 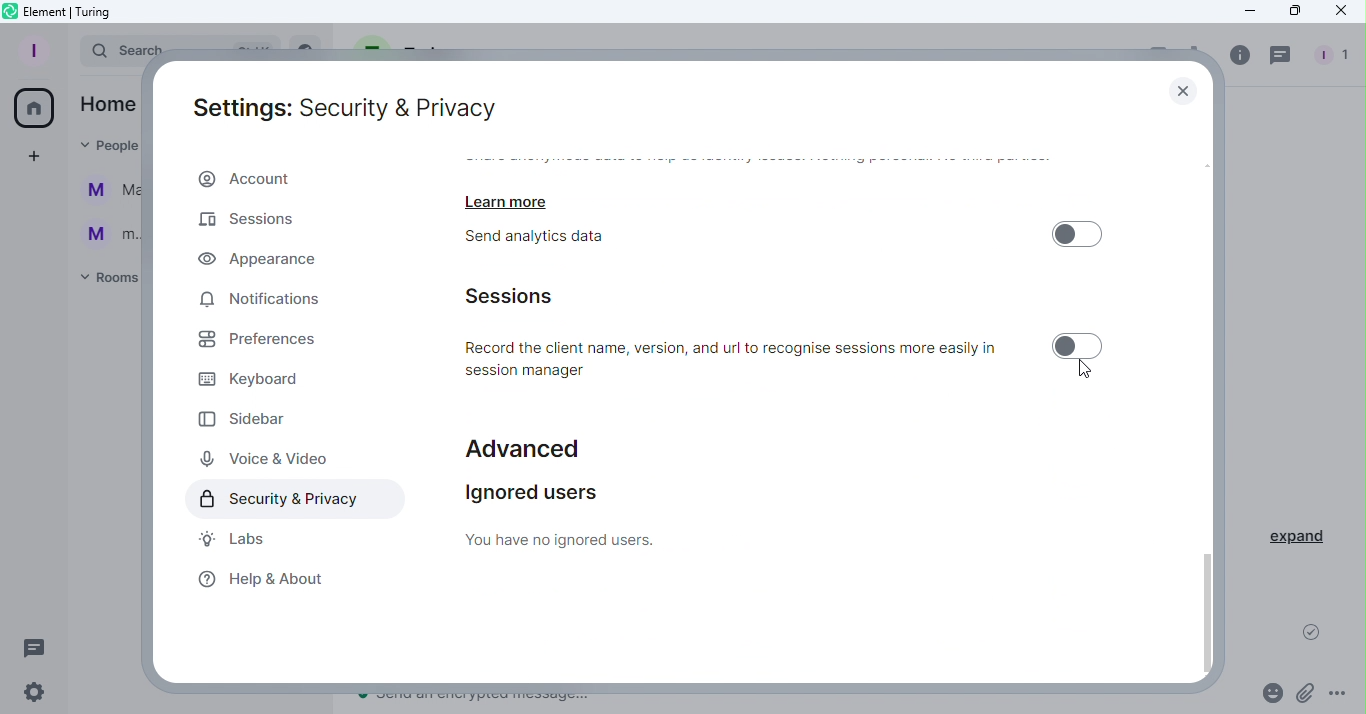 What do you see at coordinates (258, 382) in the screenshot?
I see `Keyboard` at bounding box center [258, 382].